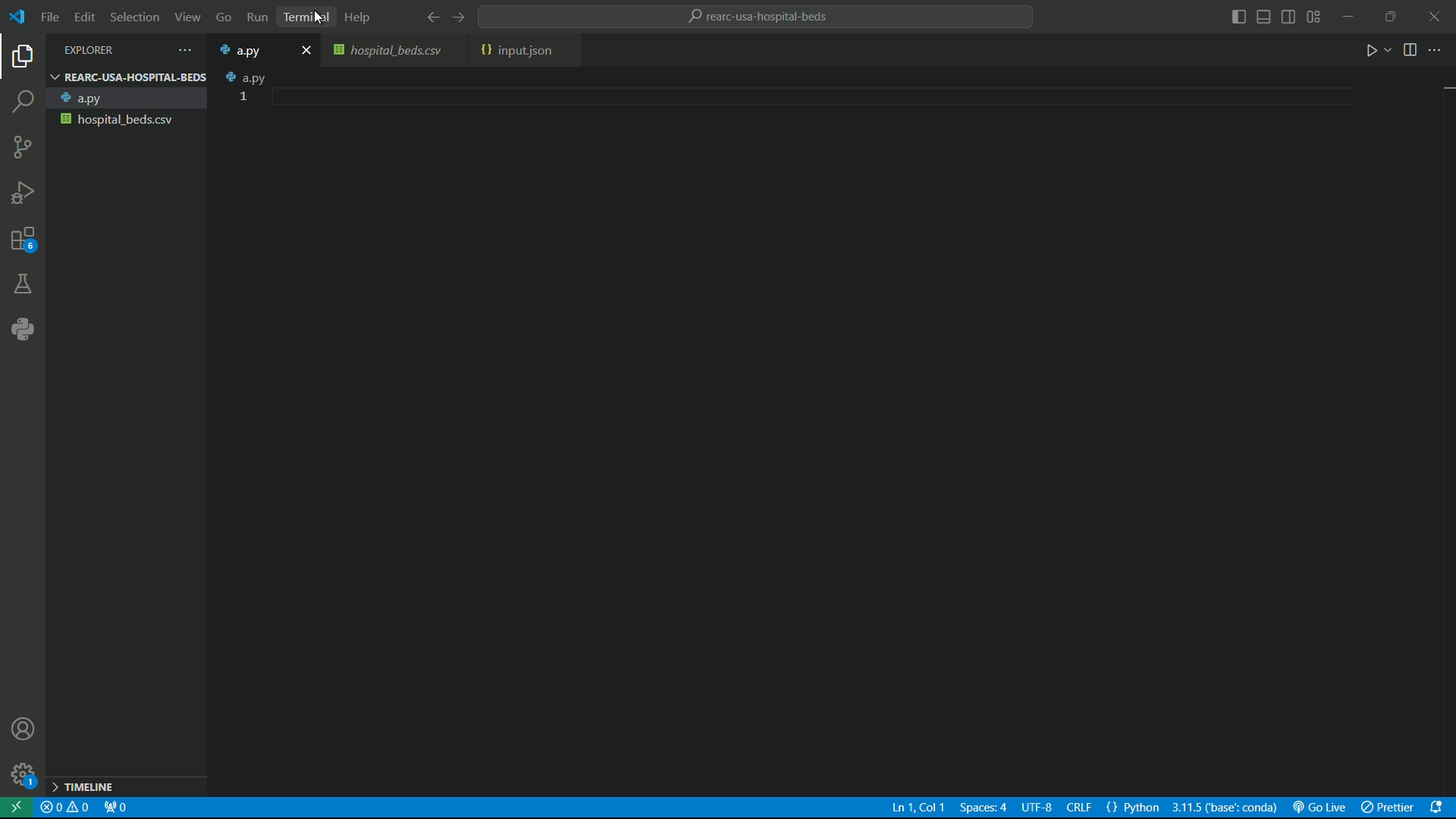  Describe the element at coordinates (127, 786) in the screenshot. I see `timeline` at that location.